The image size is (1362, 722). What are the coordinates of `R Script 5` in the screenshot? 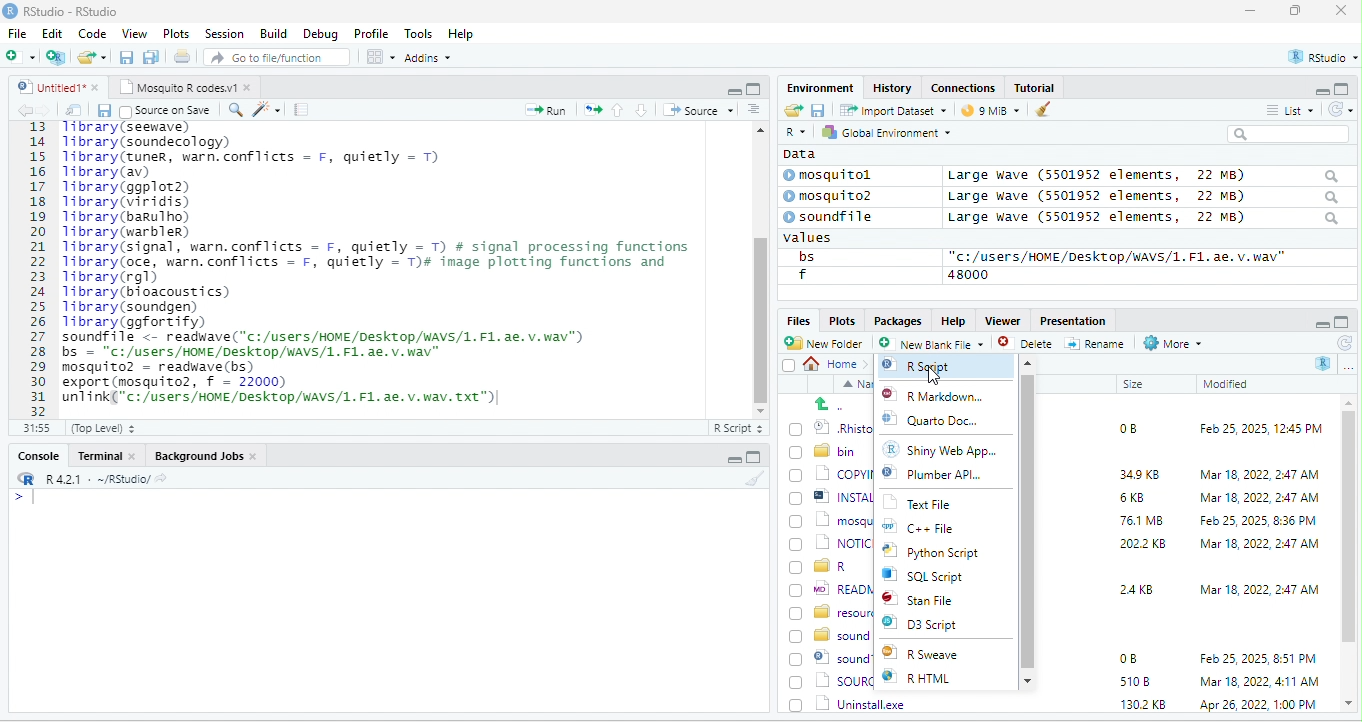 It's located at (739, 428).